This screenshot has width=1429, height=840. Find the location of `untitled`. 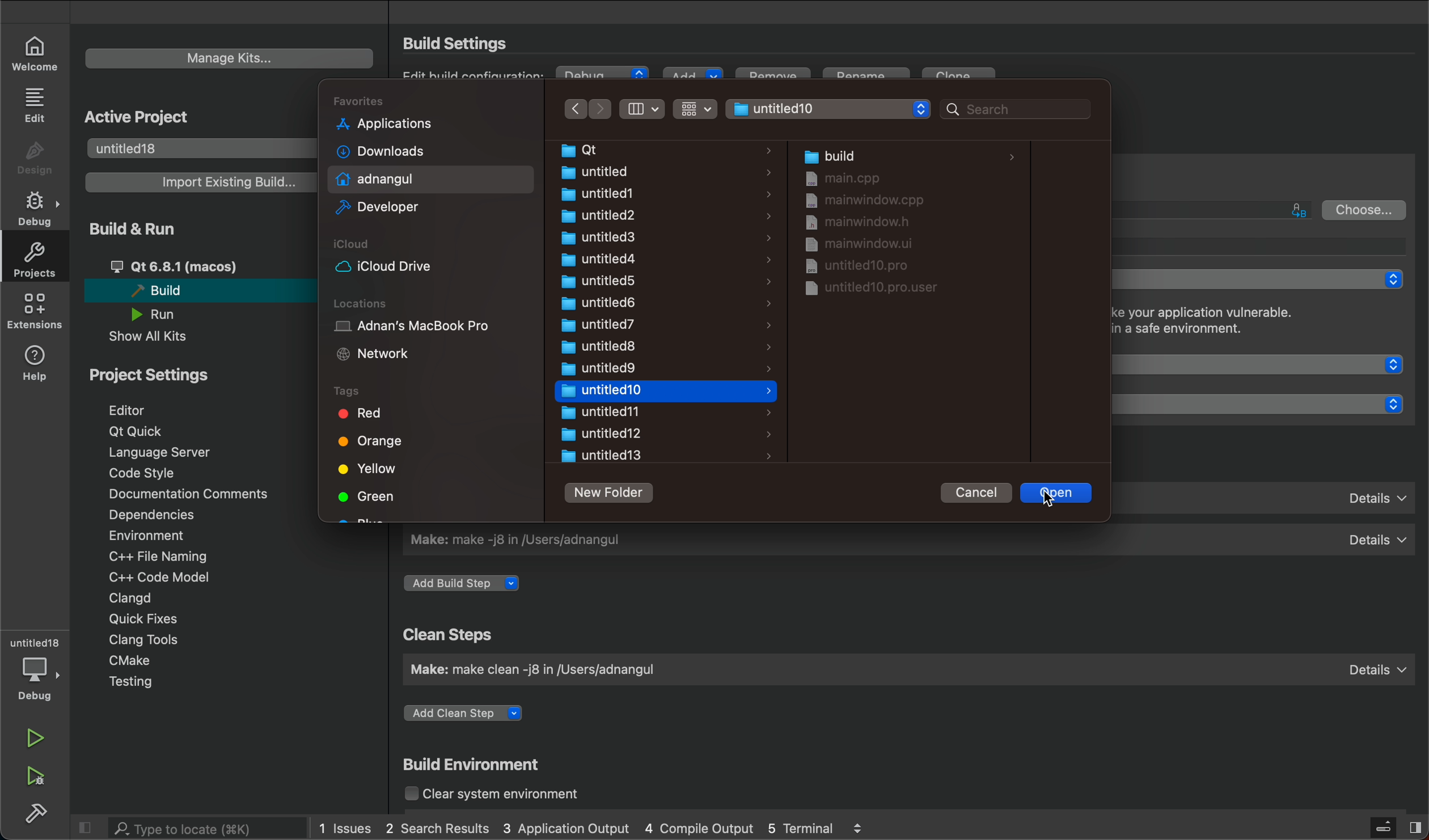

untitled is located at coordinates (35, 638).